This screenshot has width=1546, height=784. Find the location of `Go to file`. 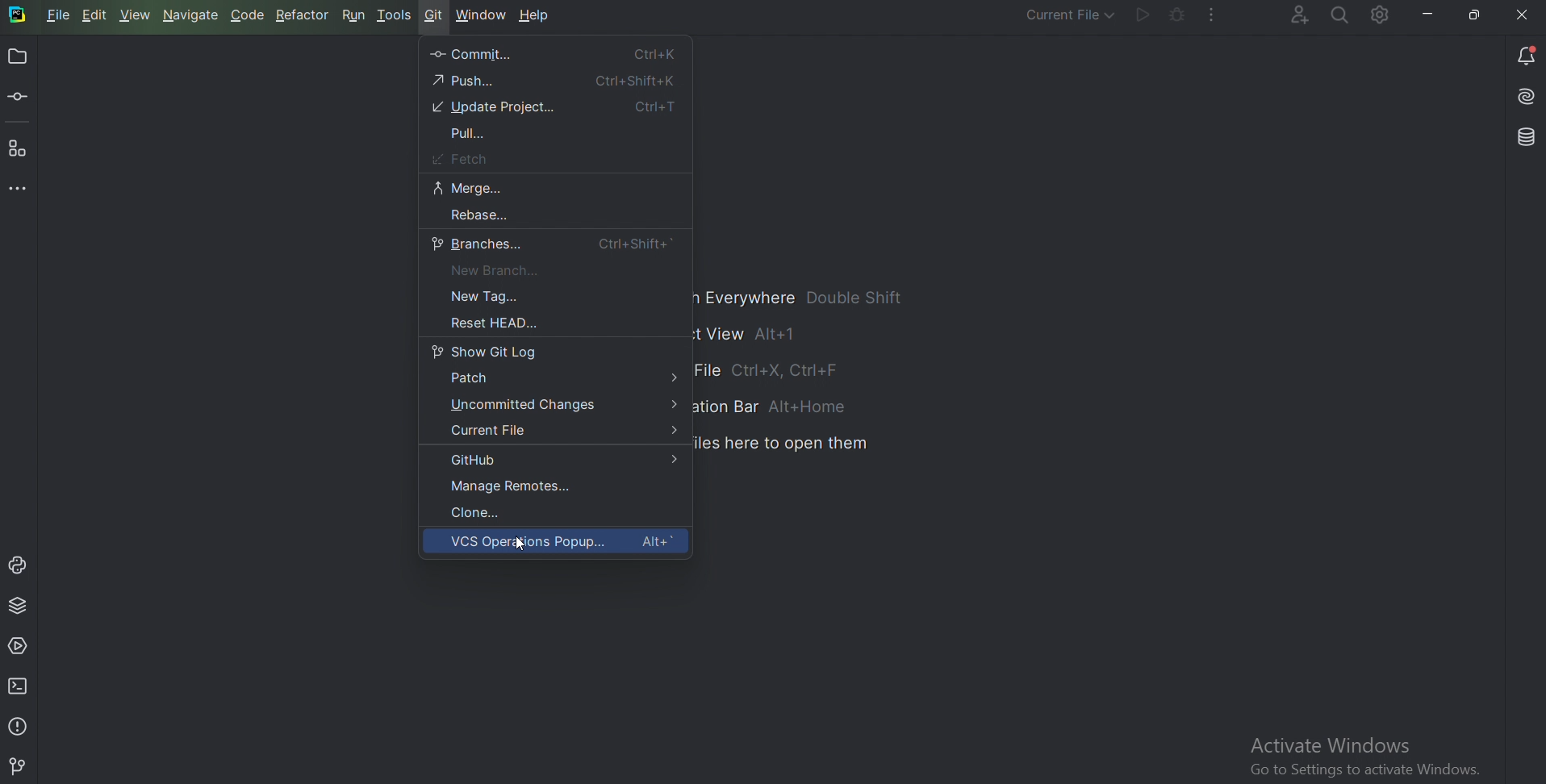

Go to file is located at coordinates (805, 373).